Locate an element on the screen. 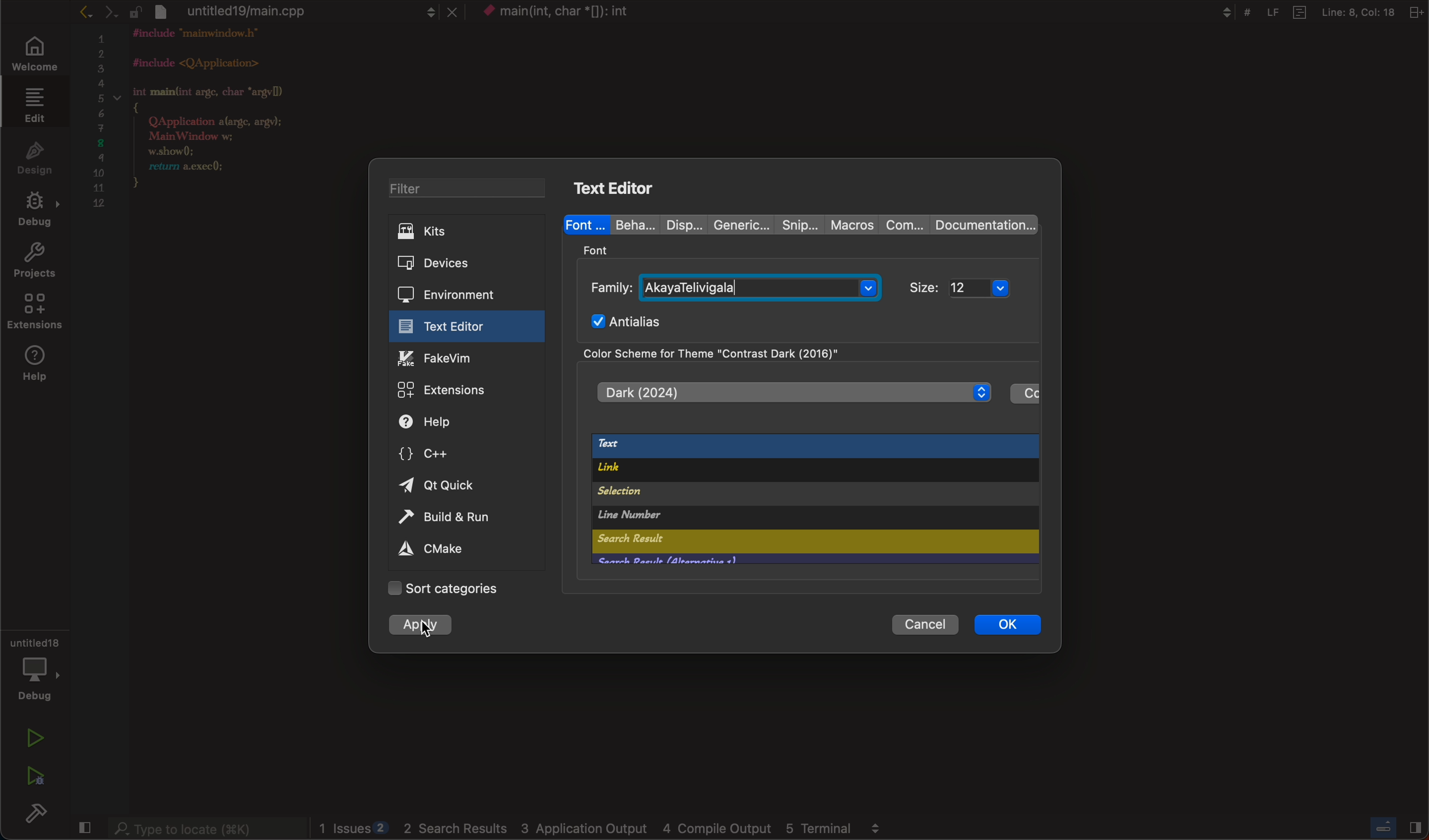 The height and width of the screenshot is (840, 1429). size is located at coordinates (968, 287).